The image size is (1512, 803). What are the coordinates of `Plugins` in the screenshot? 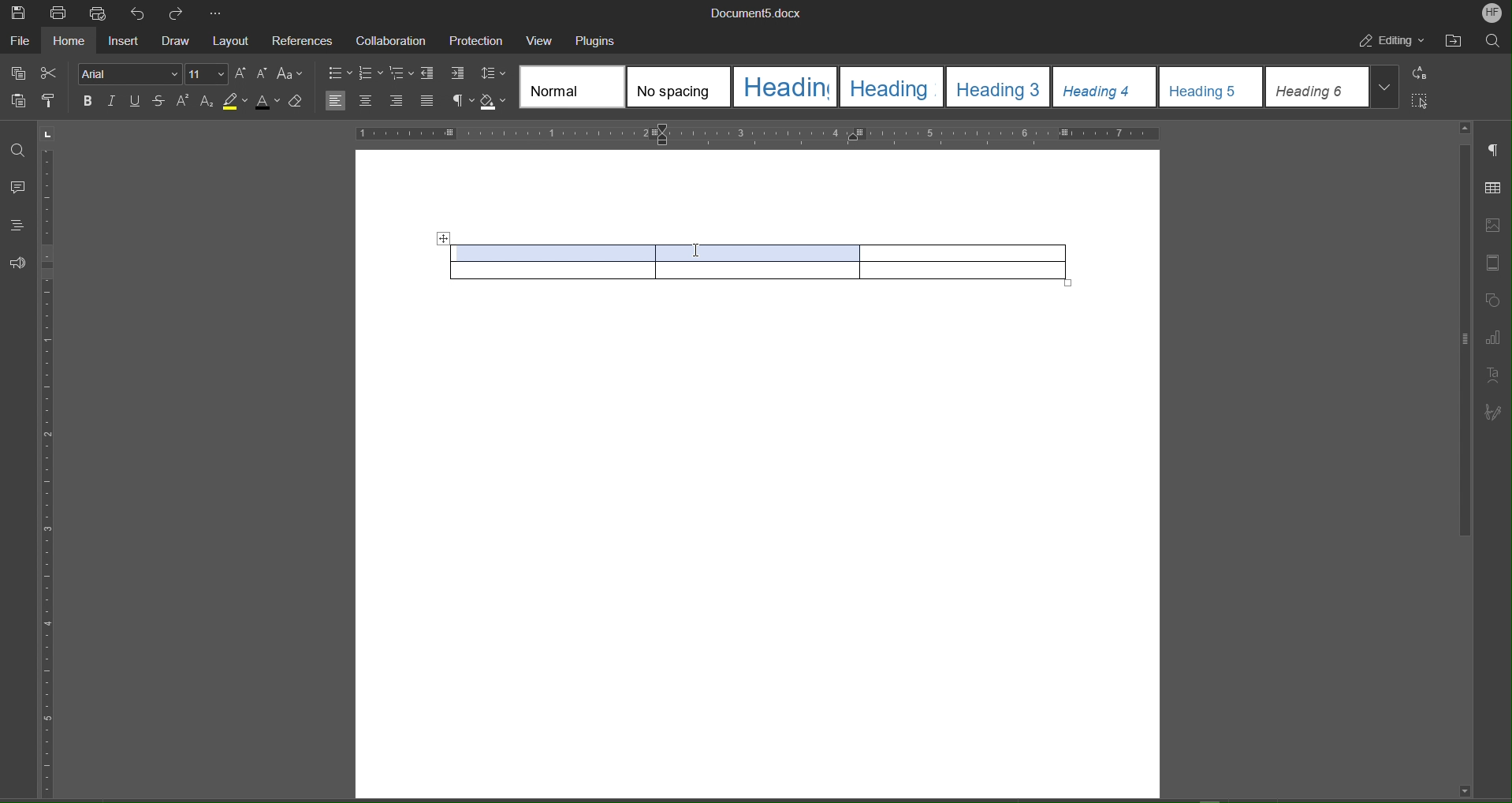 It's located at (598, 41).